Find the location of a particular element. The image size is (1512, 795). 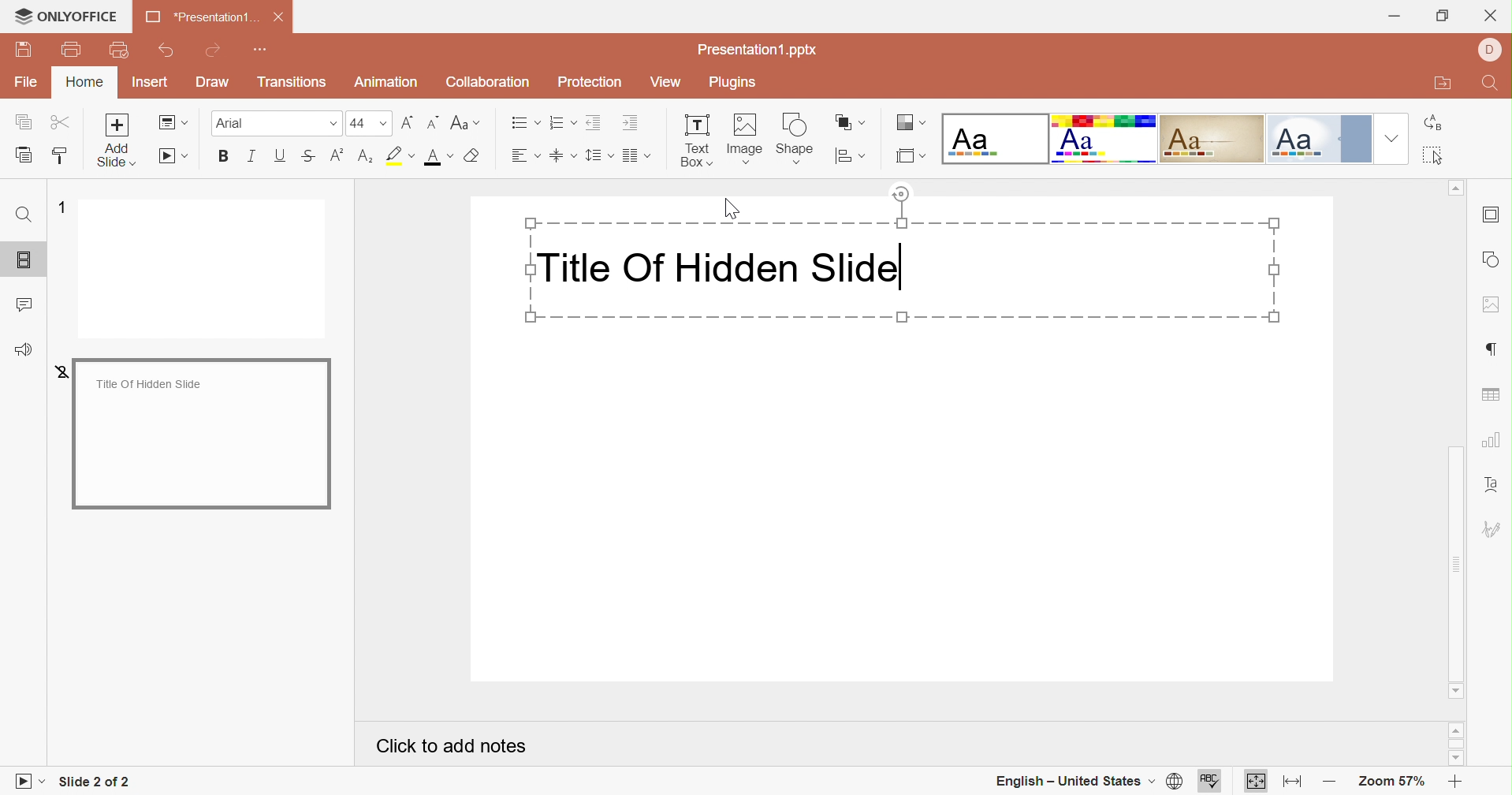

Scroll bar is located at coordinates (1455, 562).